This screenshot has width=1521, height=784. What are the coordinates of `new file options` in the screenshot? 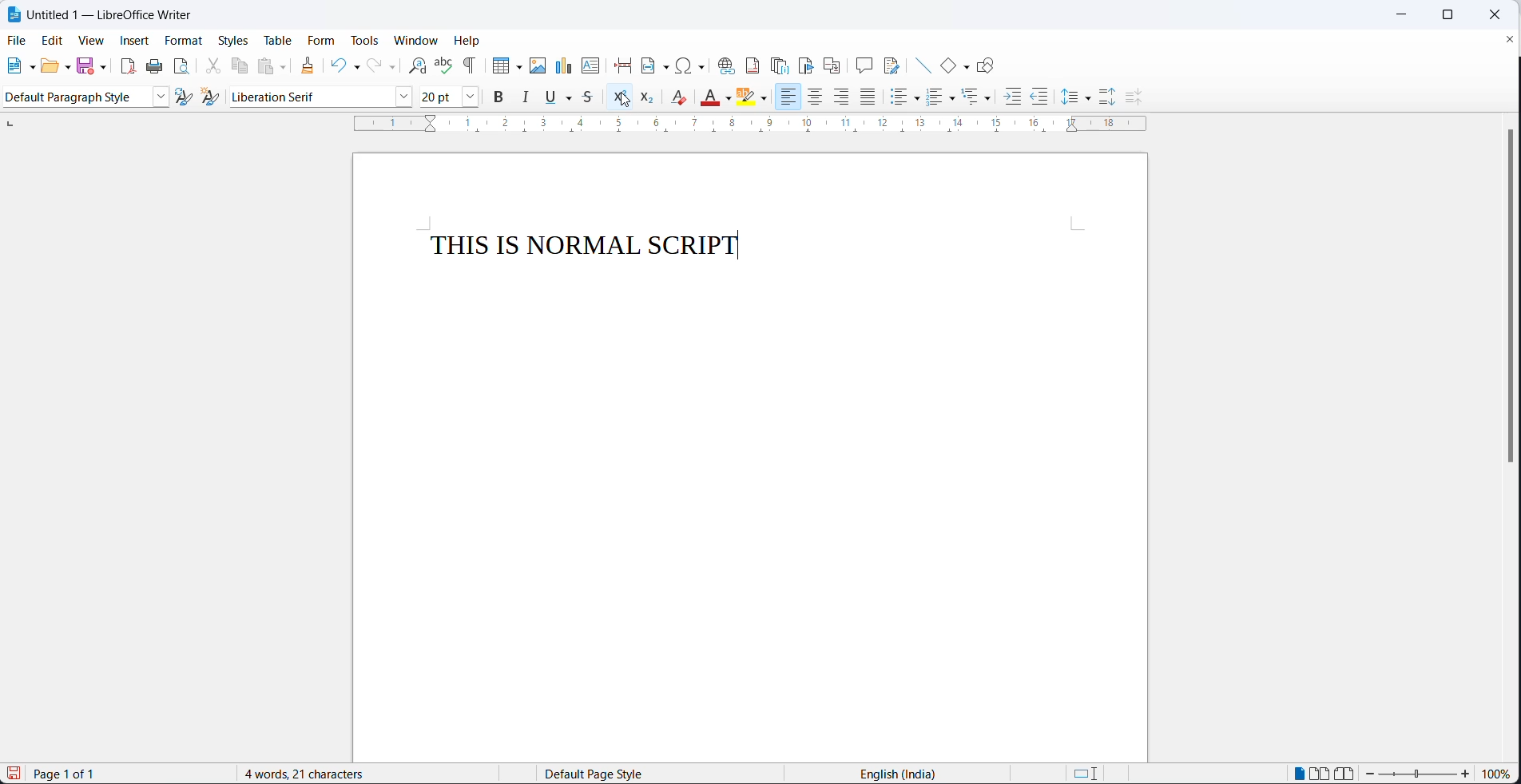 It's located at (29, 65).